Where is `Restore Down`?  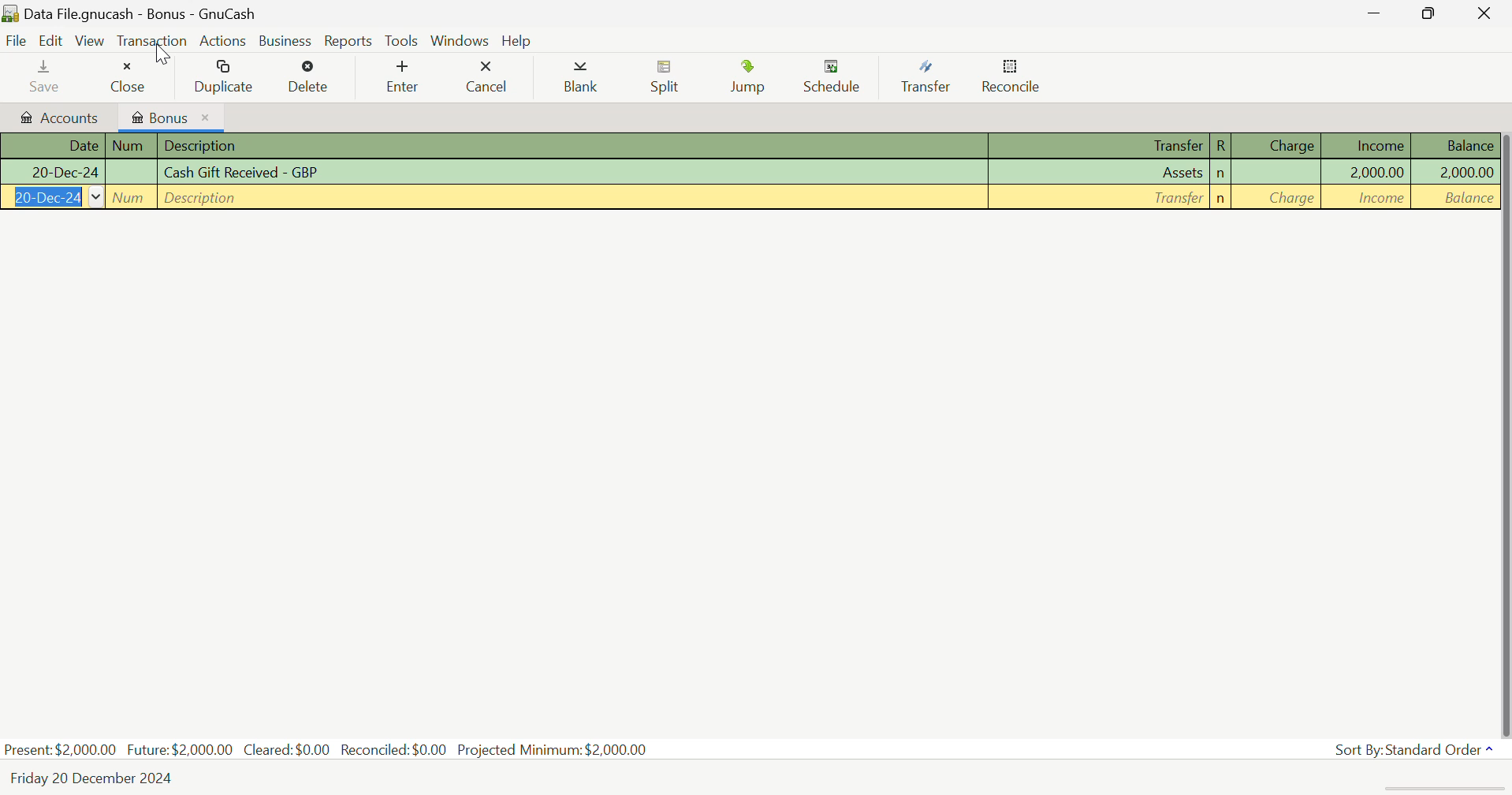 Restore Down is located at coordinates (1377, 13).